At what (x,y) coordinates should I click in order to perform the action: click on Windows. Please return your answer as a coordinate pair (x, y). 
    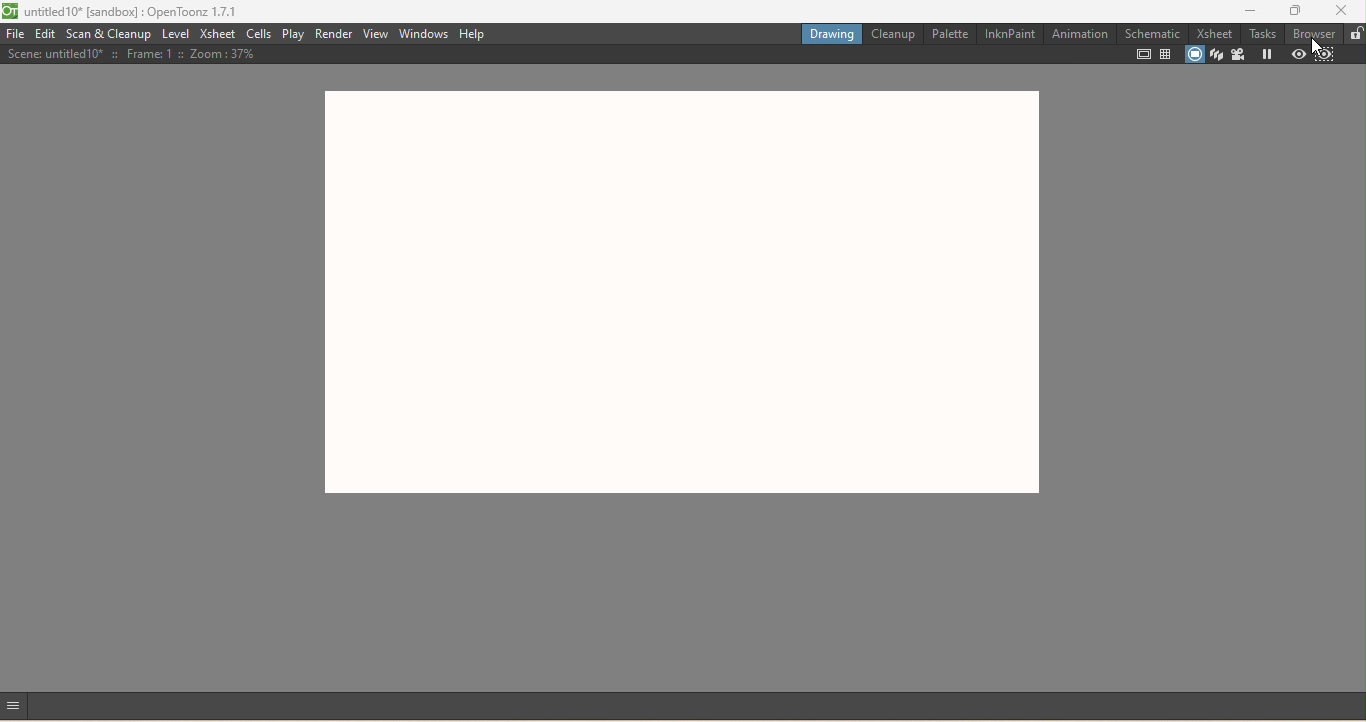
    Looking at the image, I should click on (425, 34).